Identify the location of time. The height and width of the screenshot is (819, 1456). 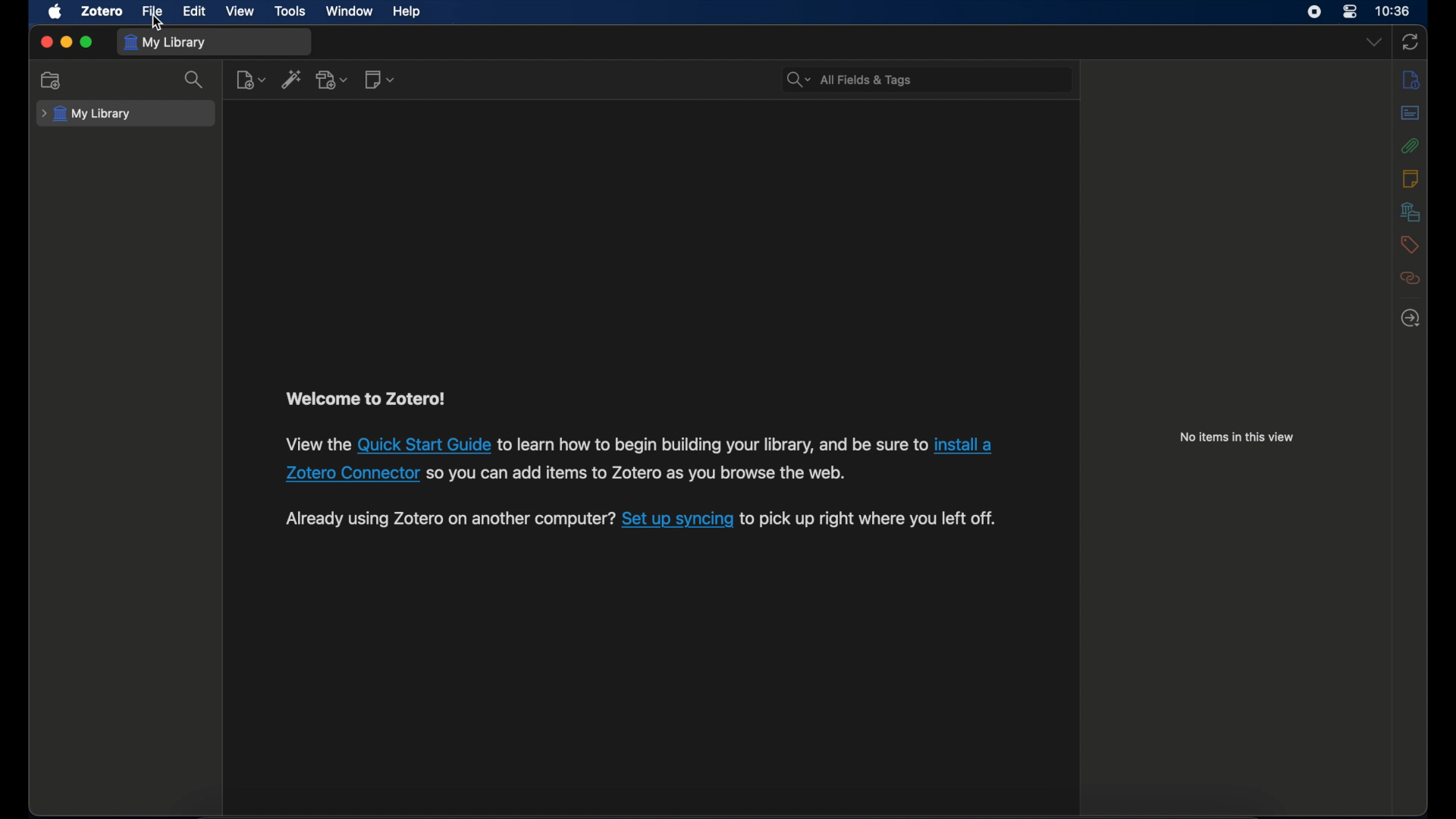
(1392, 10).